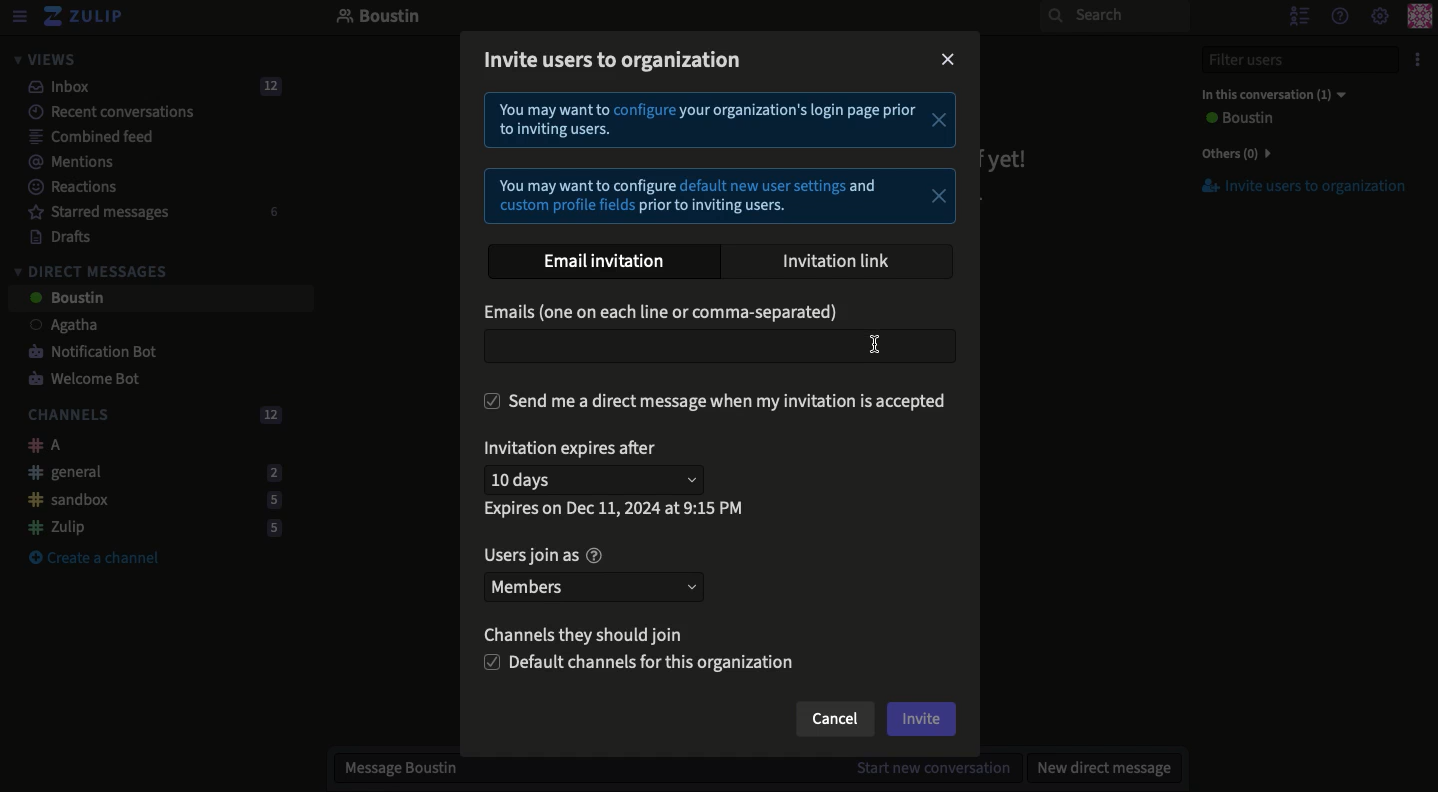 The image size is (1438, 792). I want to click on Help, so click(1338, 15).